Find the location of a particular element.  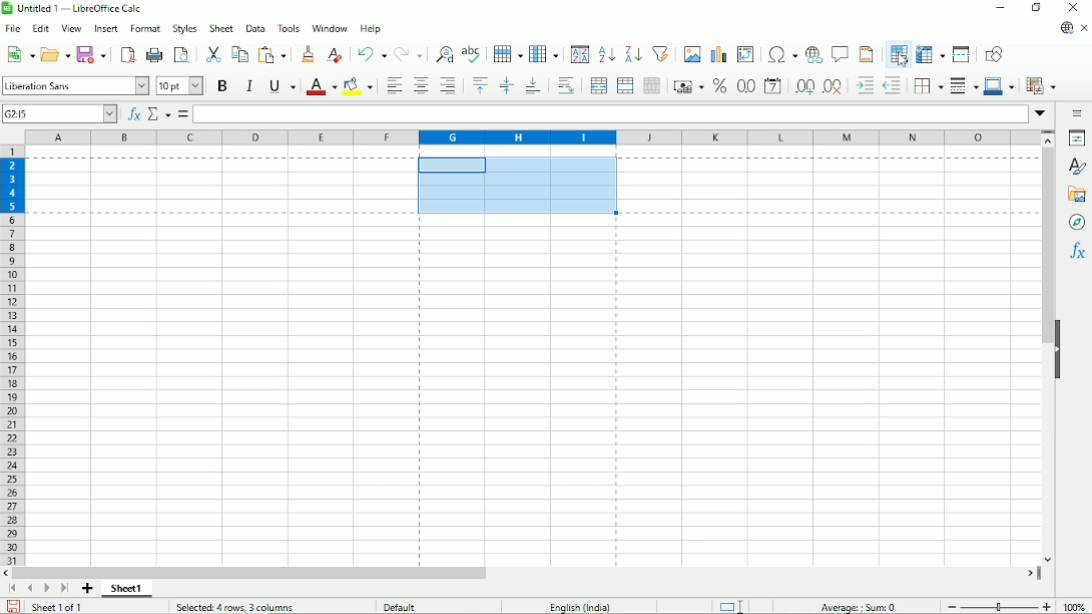

format as number is located at coordinates (745, 86).